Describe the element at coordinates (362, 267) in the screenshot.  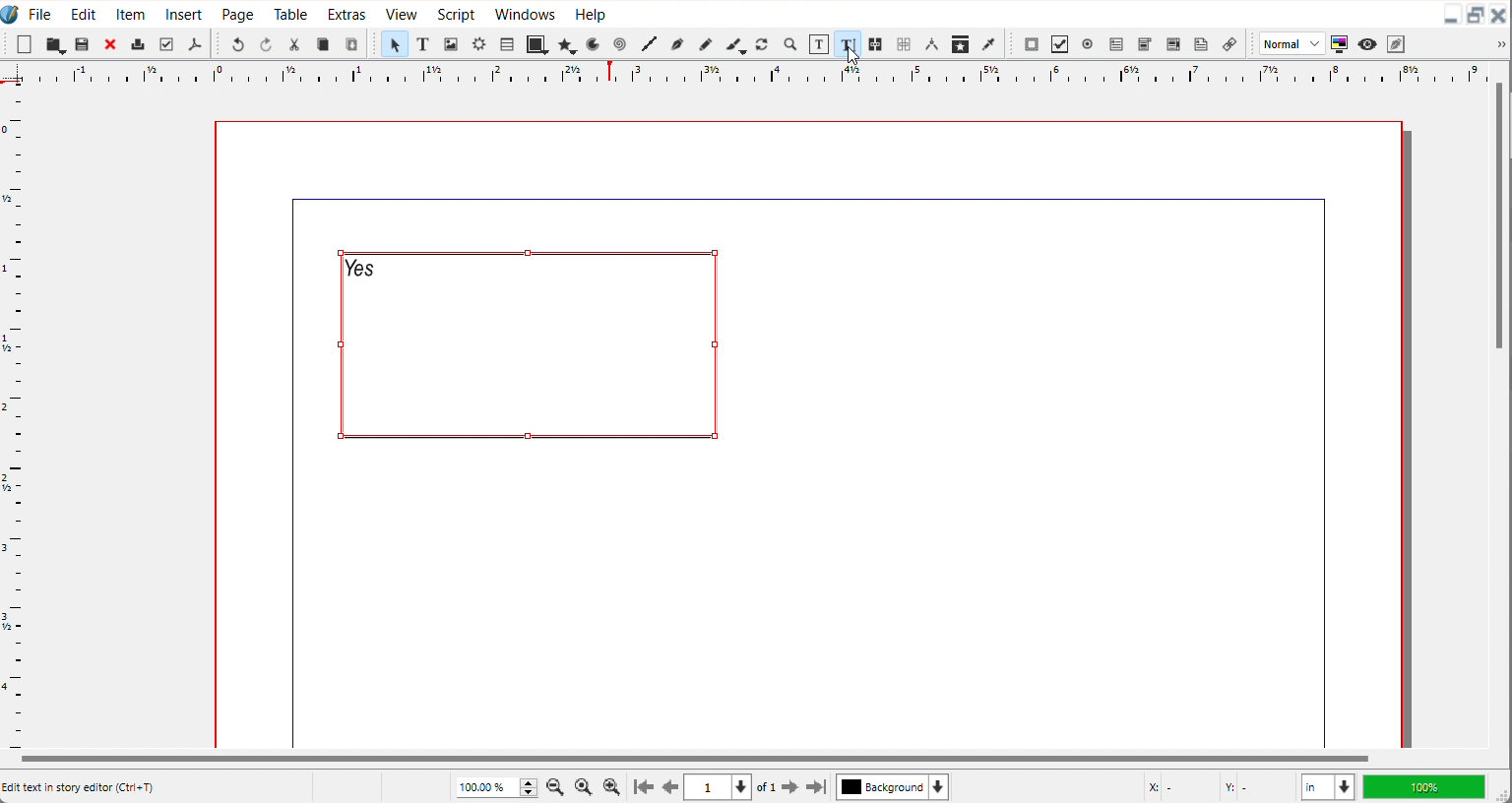
I see `Text` at that location.